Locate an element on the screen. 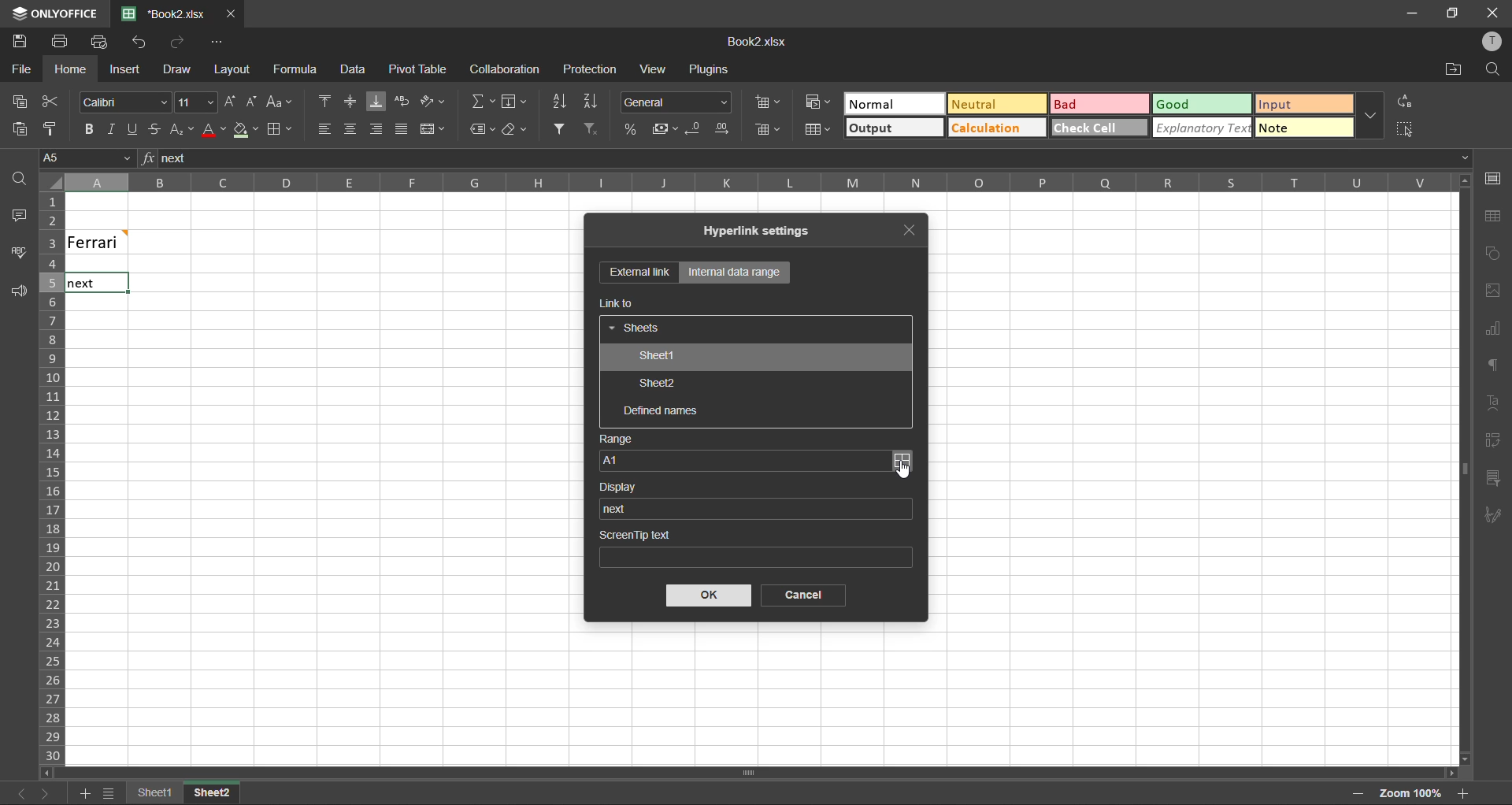  font color is located at coordinates (213, 130).